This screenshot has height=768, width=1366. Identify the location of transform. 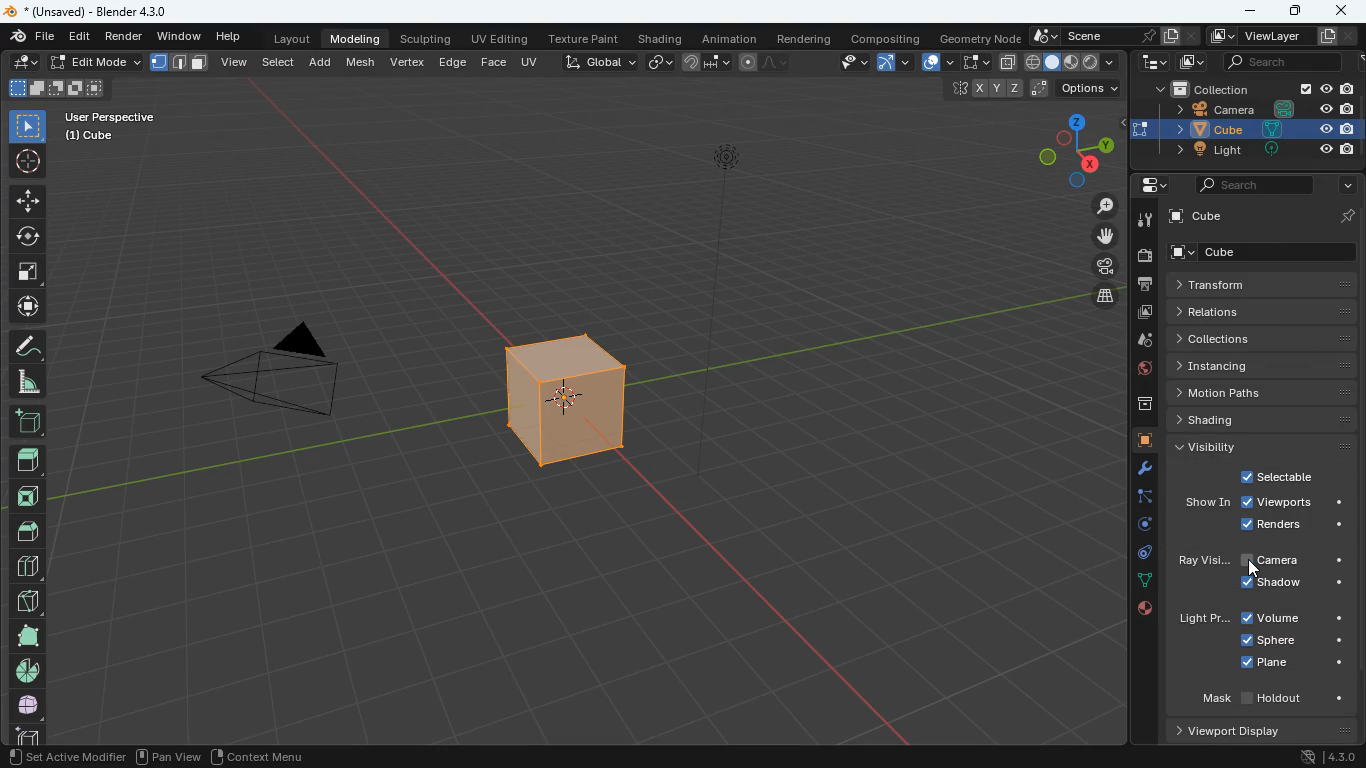
(1266, 284).